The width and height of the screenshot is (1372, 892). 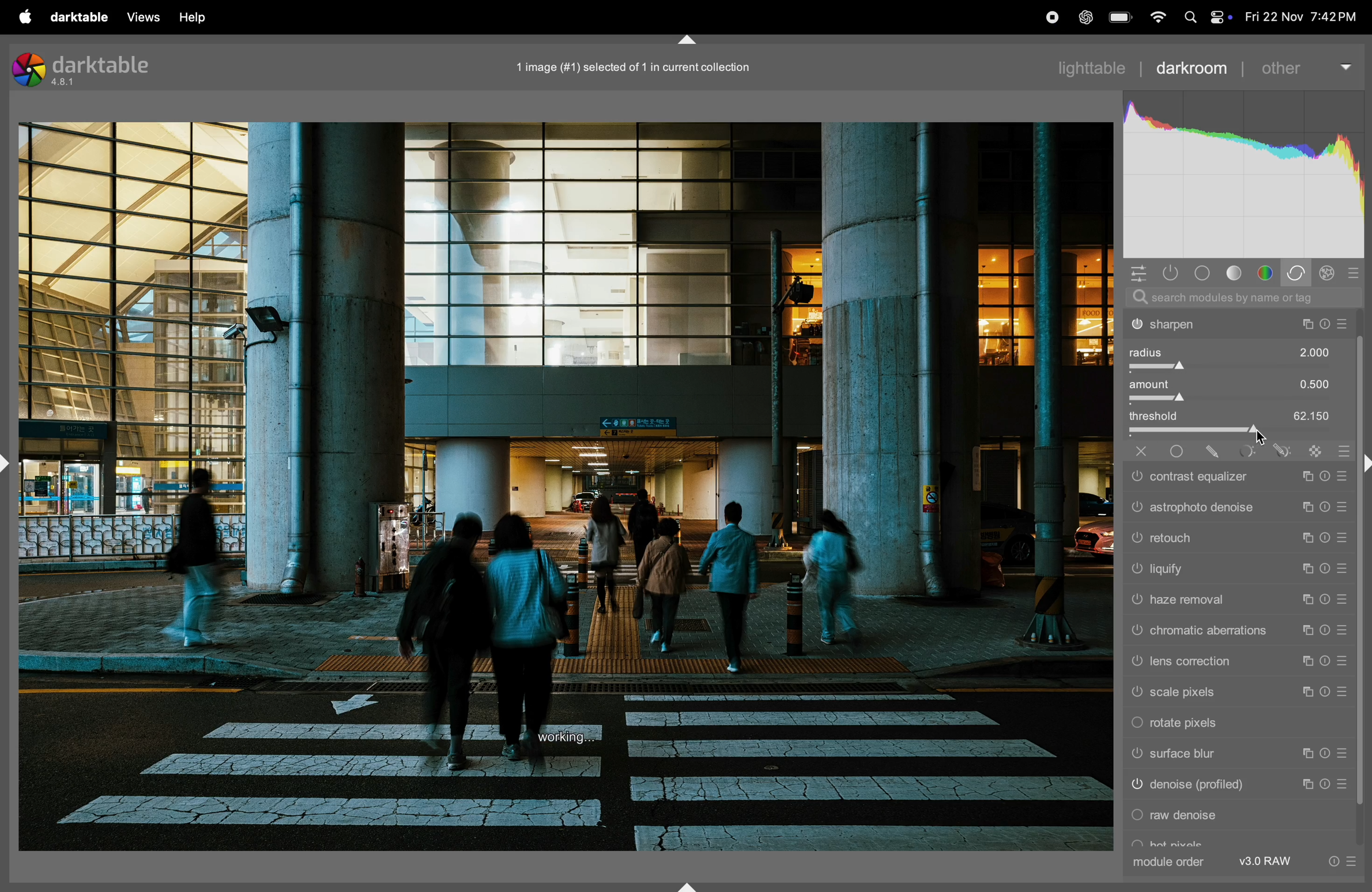 What do you see at coordinates (24, 17) in the screenshot?
I see `apple menu` at bounding box center [24, 17].